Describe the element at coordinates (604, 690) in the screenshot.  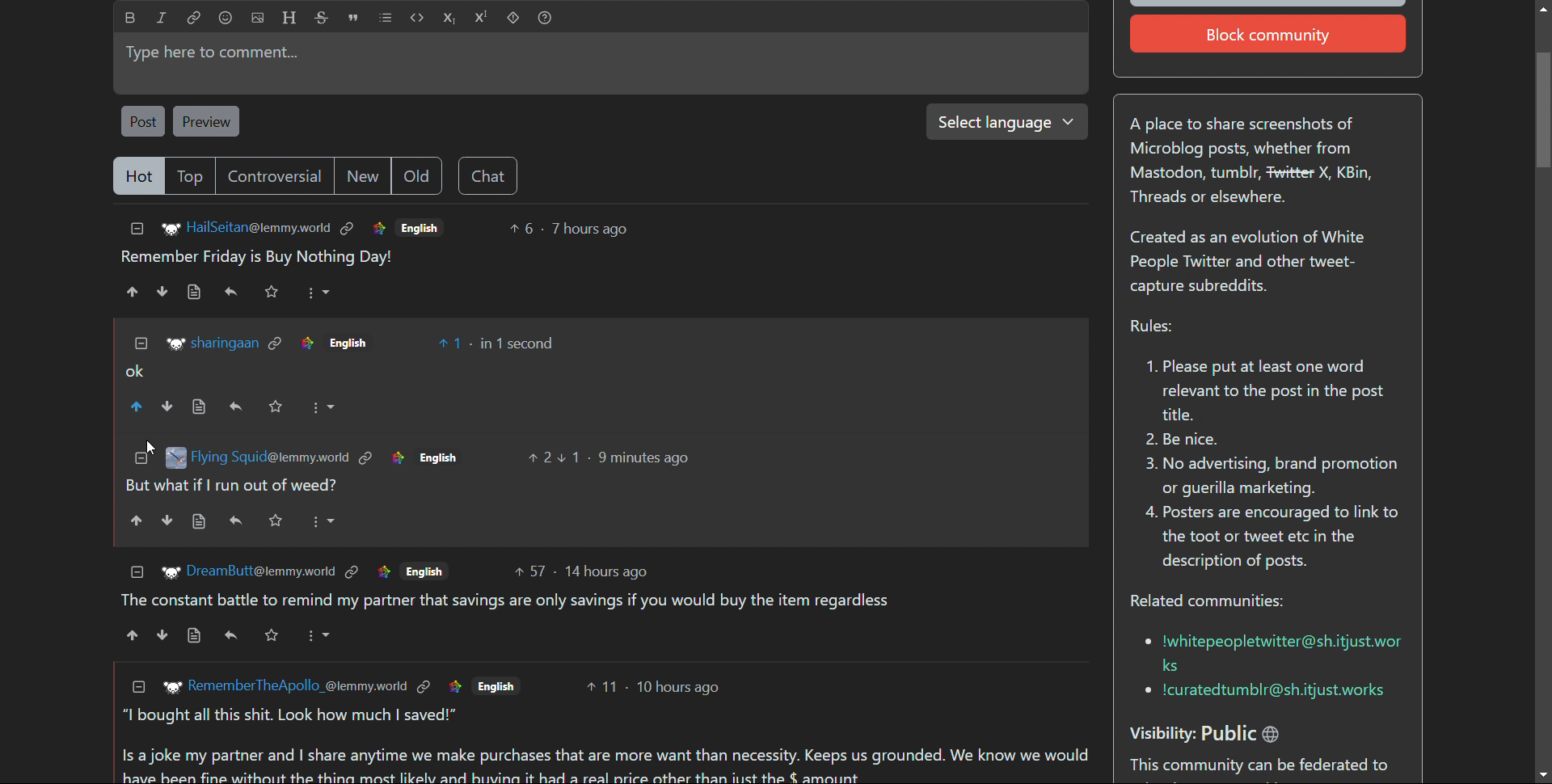
I see `number of upvotes` at that location.